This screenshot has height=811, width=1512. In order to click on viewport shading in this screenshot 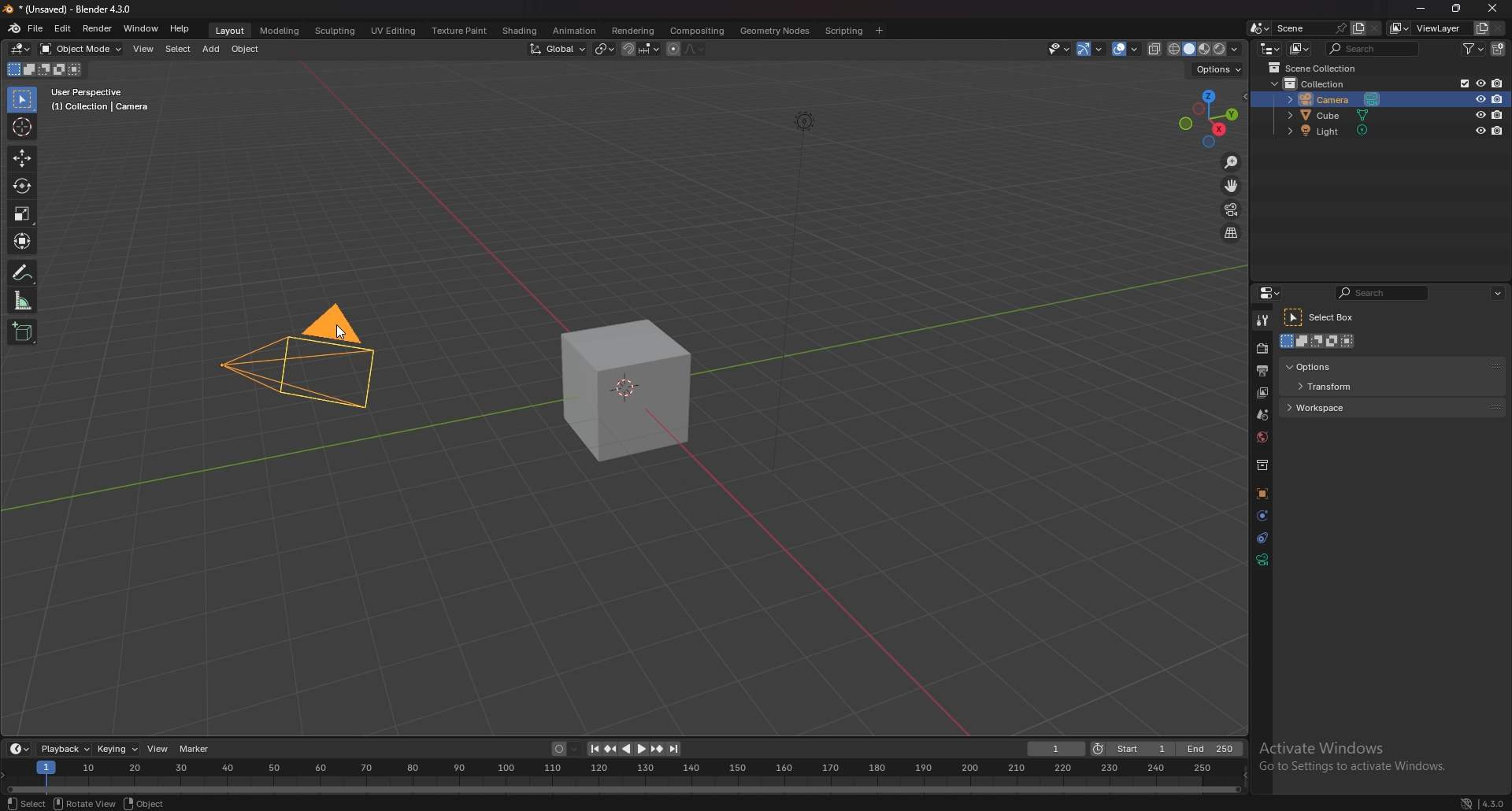, I will do `click(1205, 50)`.